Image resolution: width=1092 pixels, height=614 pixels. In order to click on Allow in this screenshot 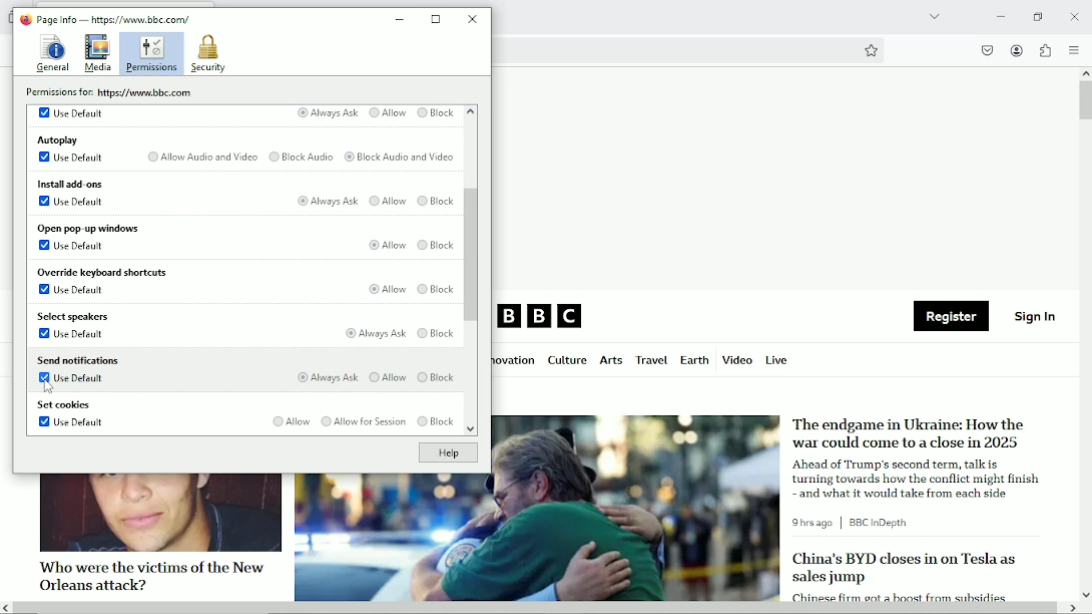, I will do `click(387, 114)`.